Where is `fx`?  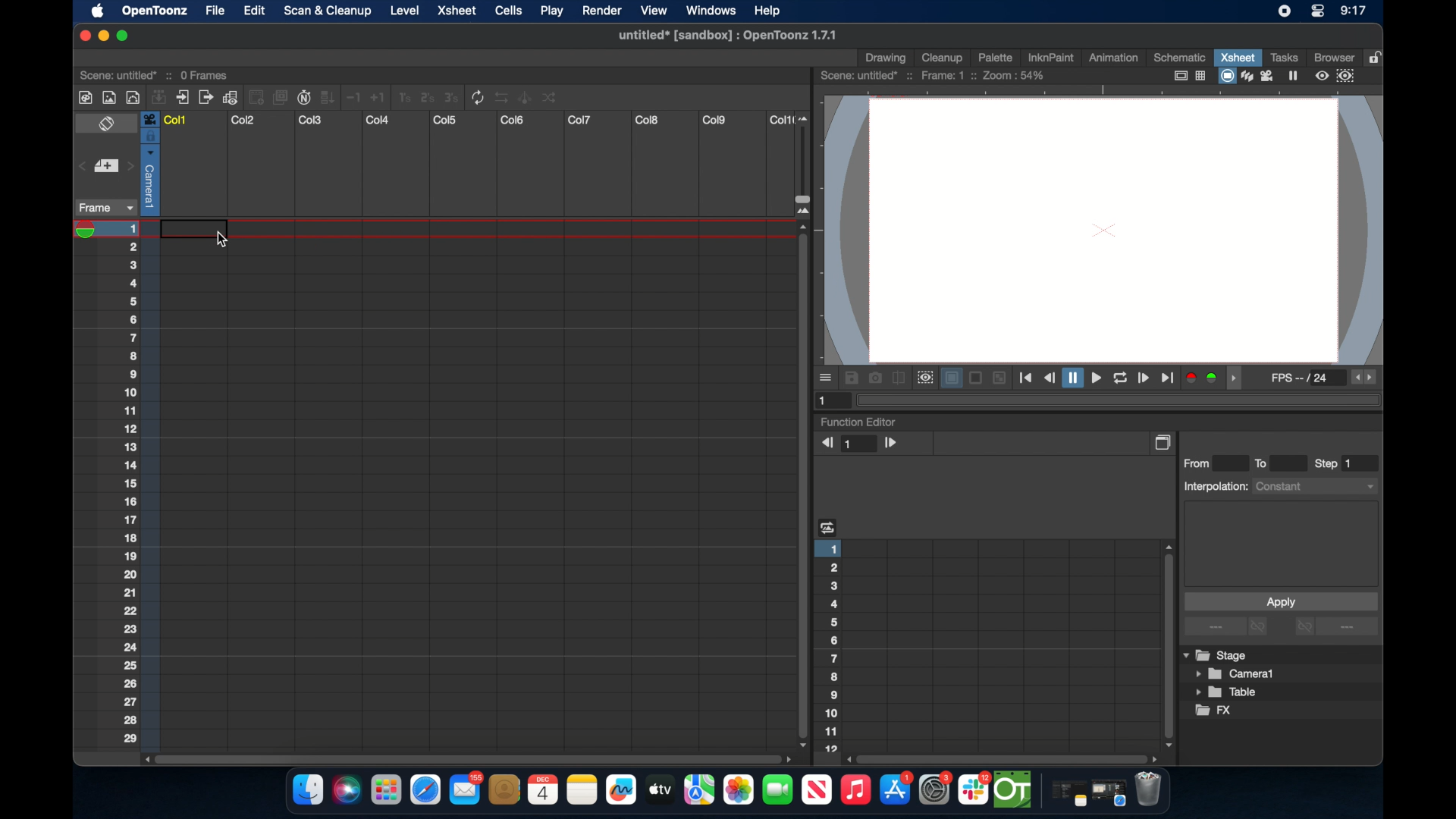
fx is located at coordinates (1214, 711).